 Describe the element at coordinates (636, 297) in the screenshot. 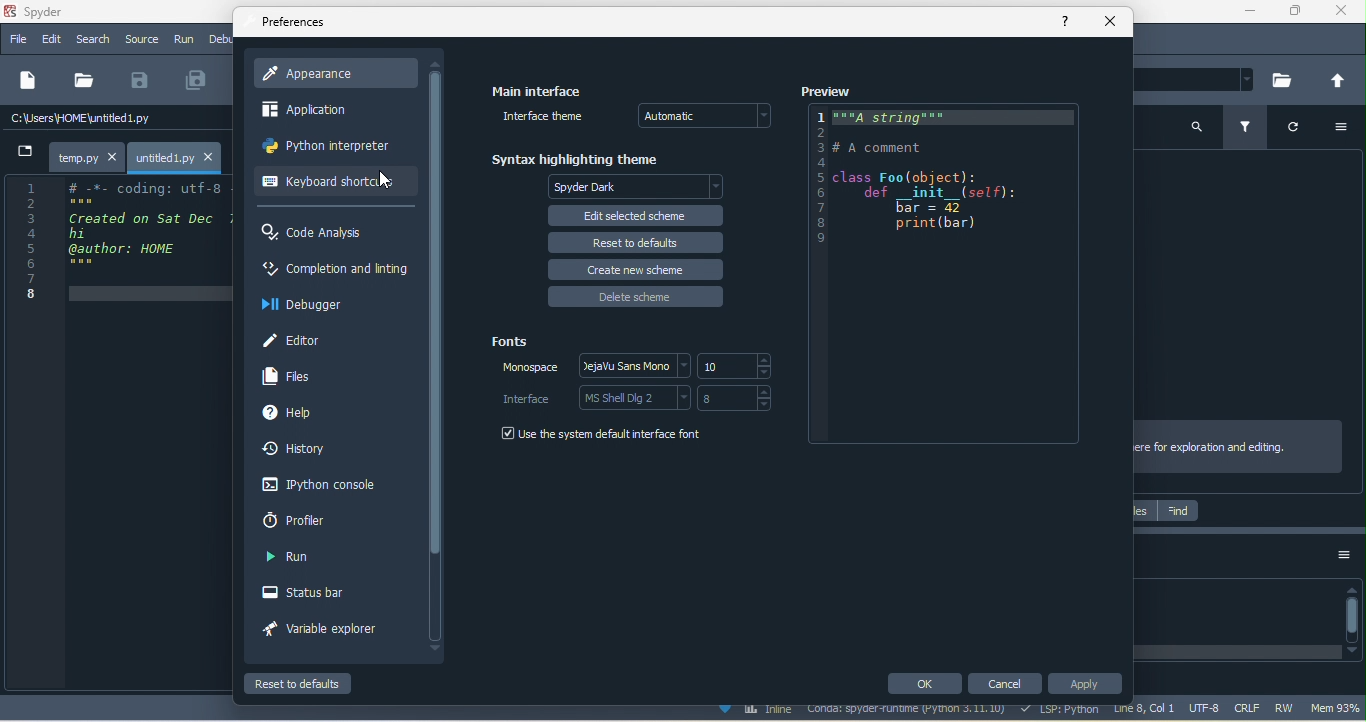

I see `delete scheme` at that location.